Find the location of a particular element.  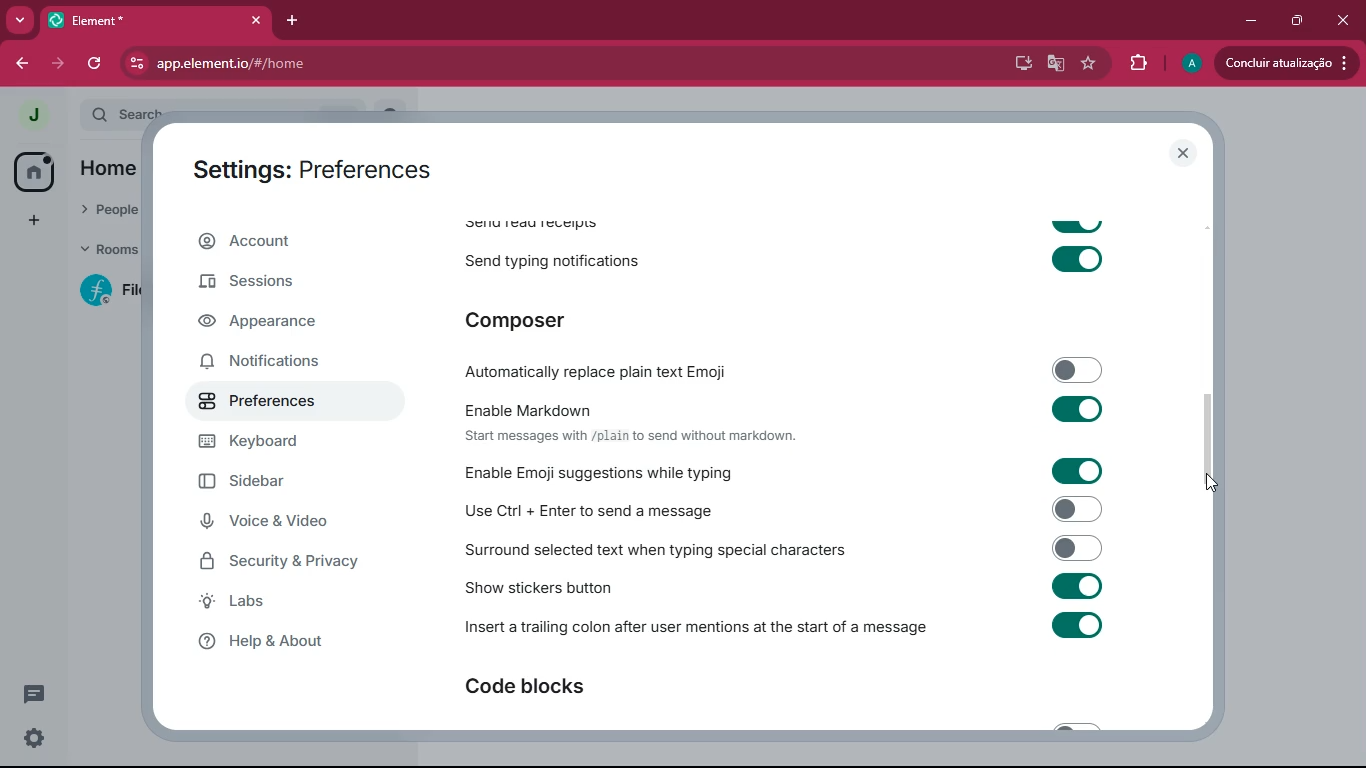

sidebar is located at coordinates (282, 484).